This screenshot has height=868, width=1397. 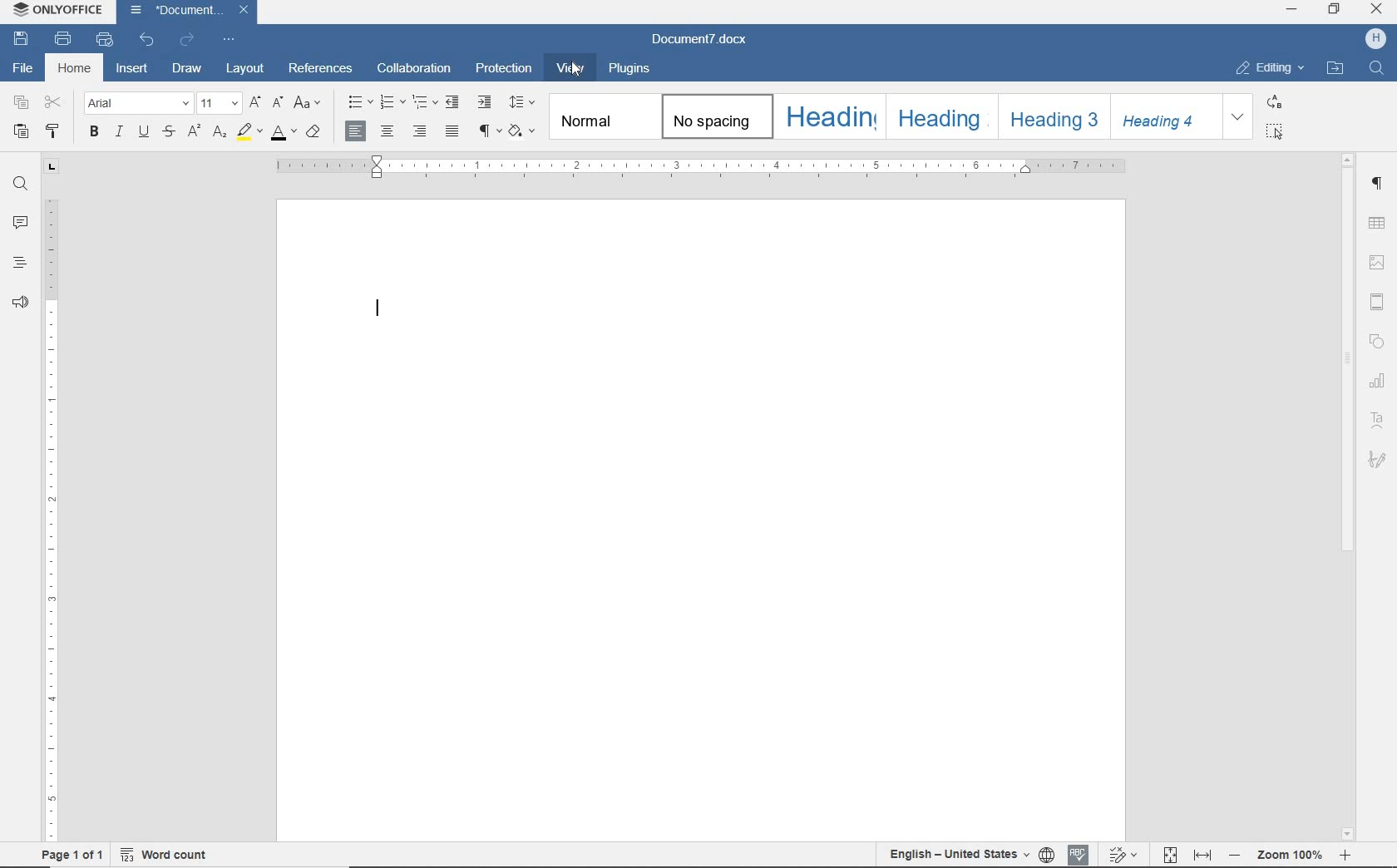 I want to click on PRINT, so click(x=62, y=37).